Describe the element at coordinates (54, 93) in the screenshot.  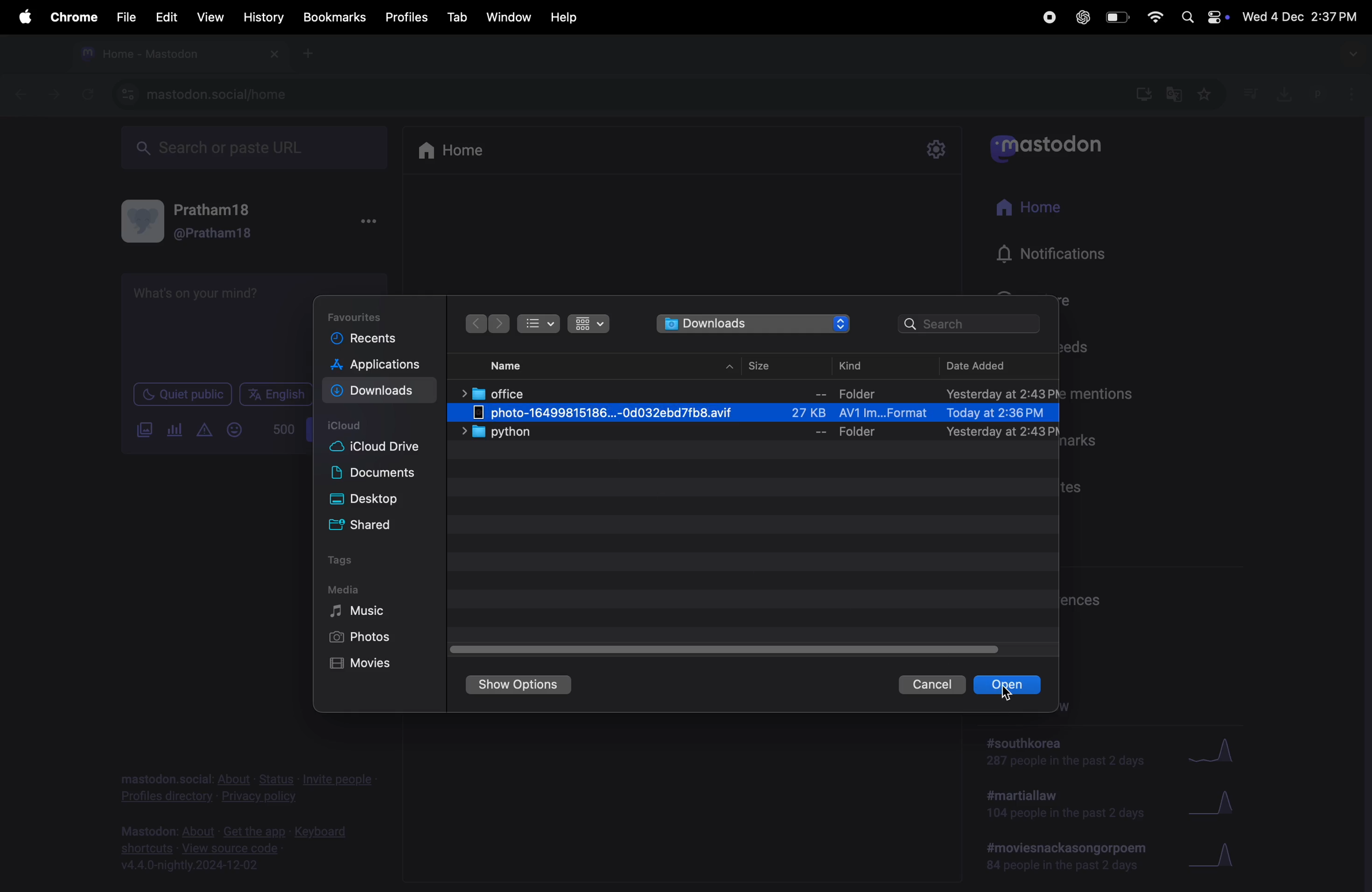
I see `forward` at that location.